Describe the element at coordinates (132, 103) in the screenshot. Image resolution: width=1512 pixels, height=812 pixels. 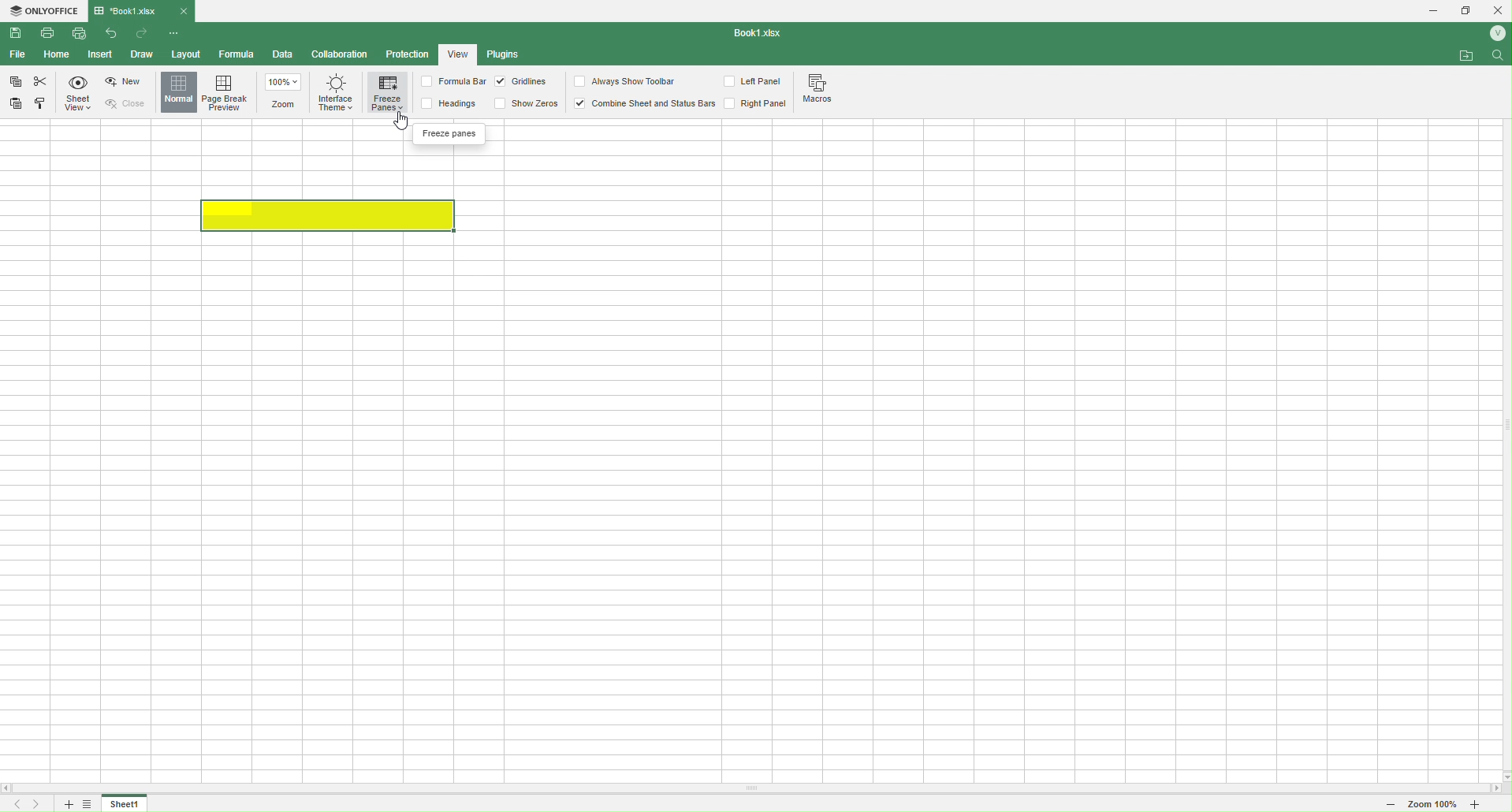
I see `Close` at that location.